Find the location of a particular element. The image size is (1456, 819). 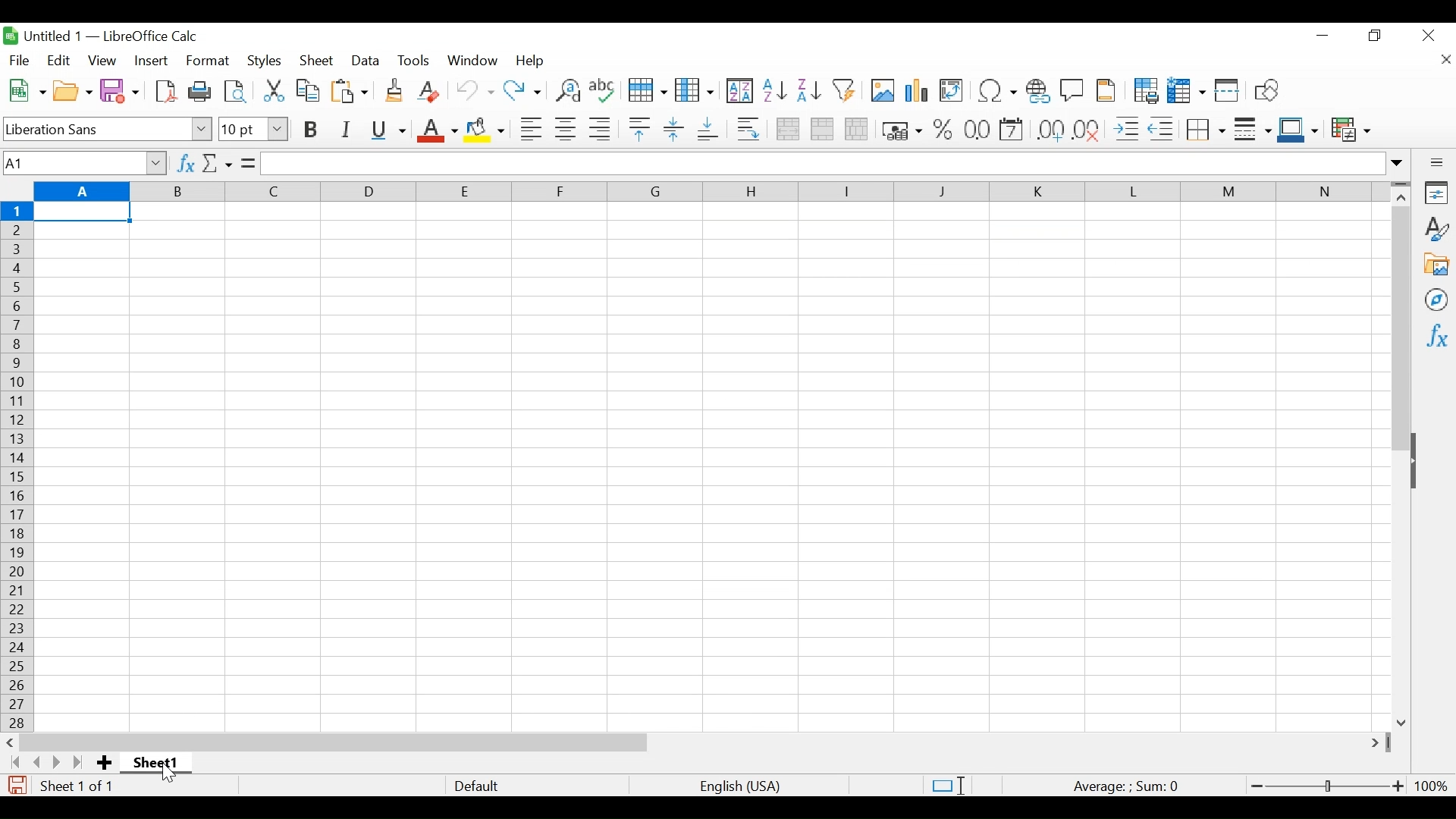

Autofilter is located at coordinates (844, 91).